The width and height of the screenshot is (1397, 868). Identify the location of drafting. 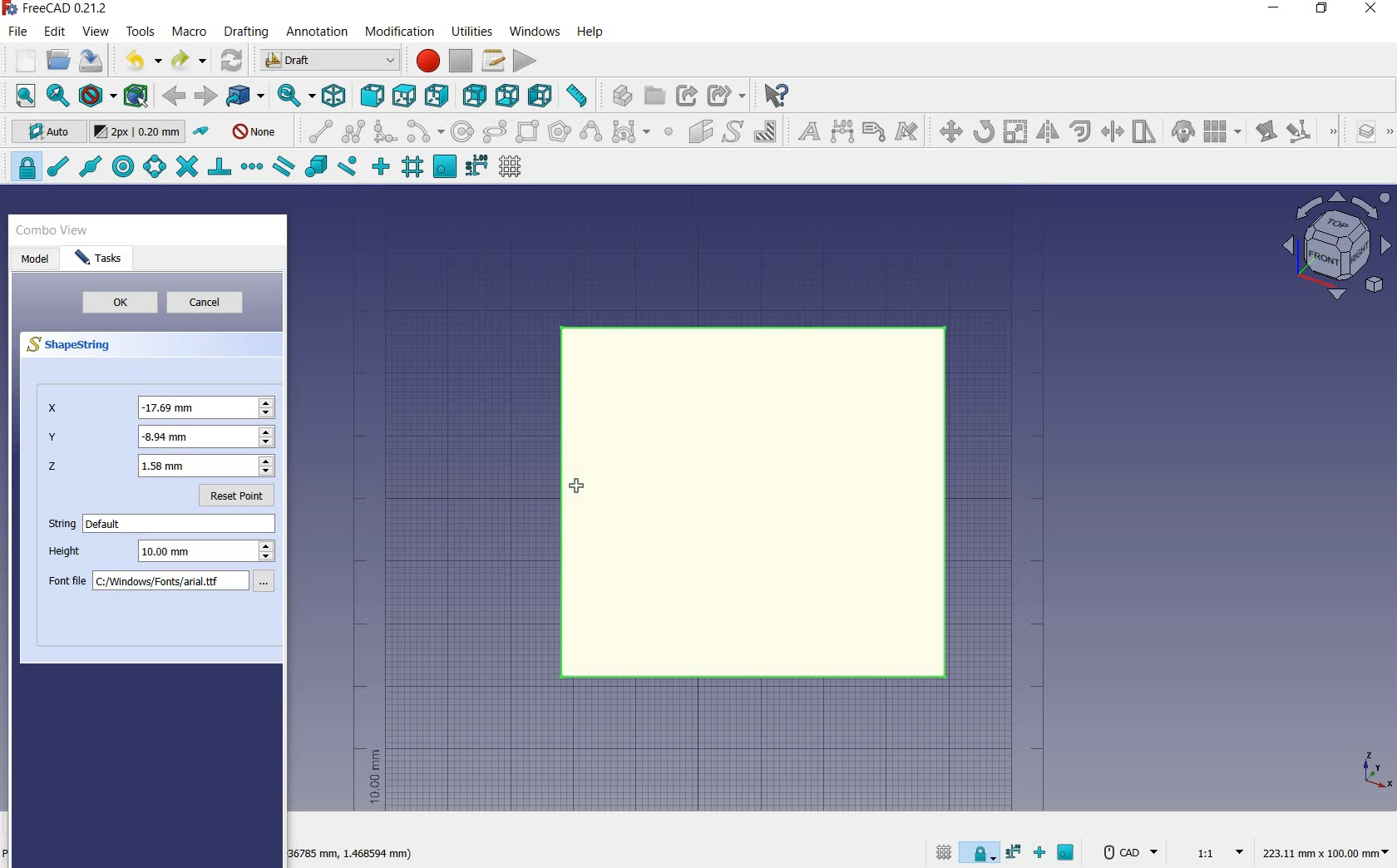
(247, 32).